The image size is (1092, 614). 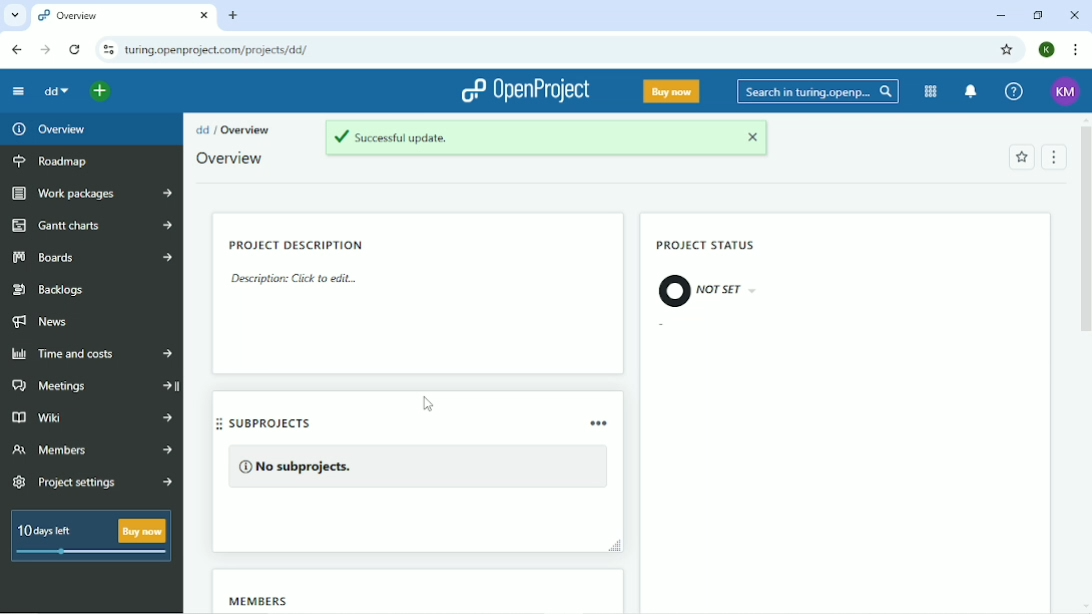 I want to click on New tab, so click(x=236, y=17).